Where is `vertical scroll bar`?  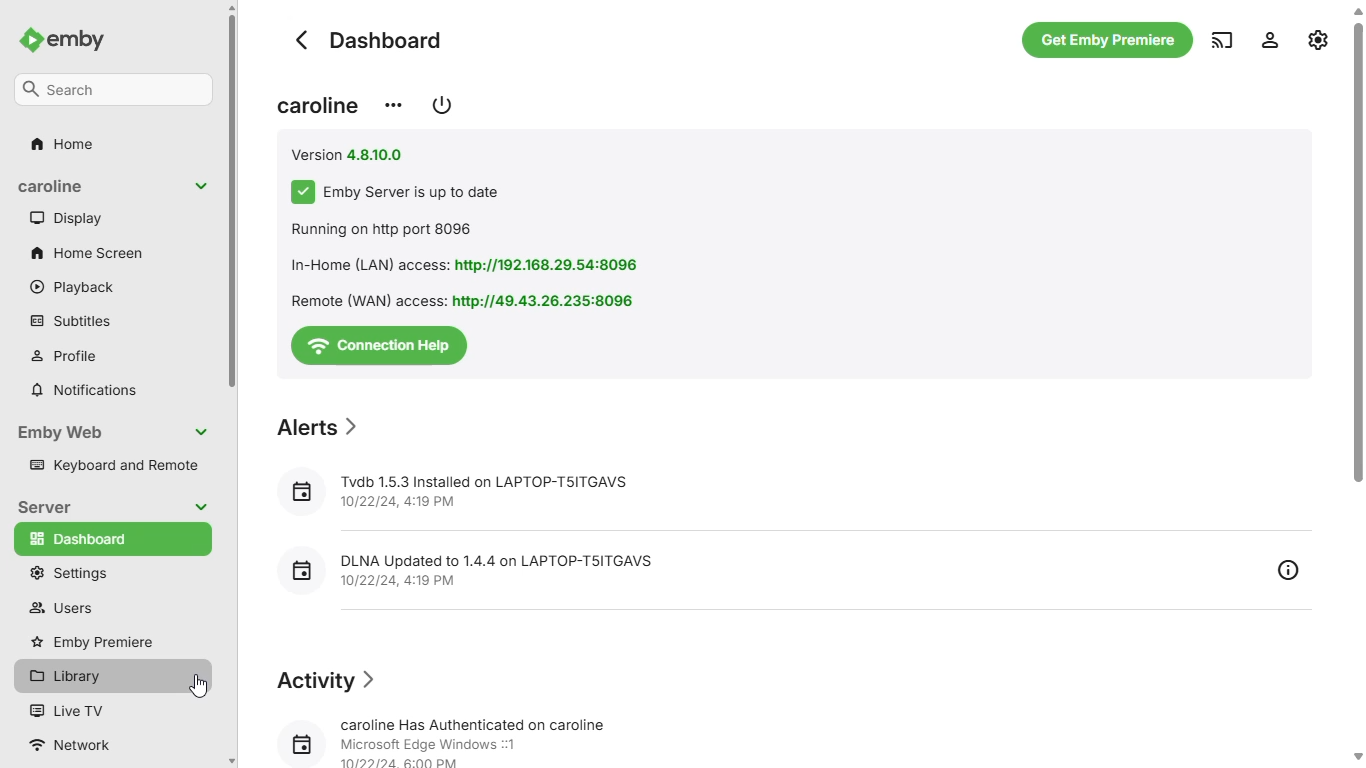
vertical scroll bar is located at coordinates (234, 385).